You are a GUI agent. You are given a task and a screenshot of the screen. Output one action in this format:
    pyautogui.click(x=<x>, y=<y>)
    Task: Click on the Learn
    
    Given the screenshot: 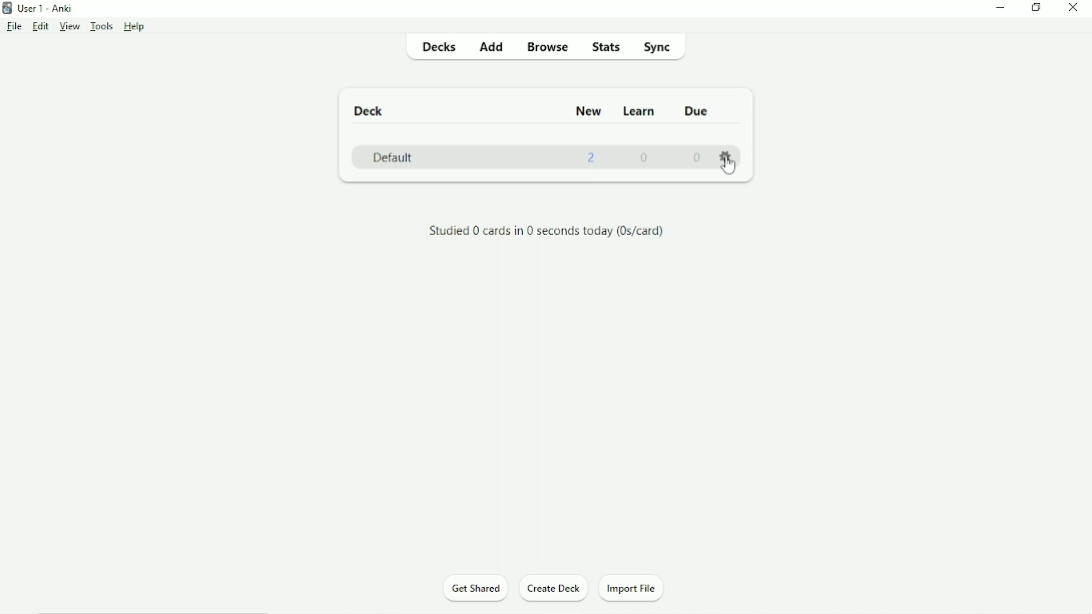 What is the action you would take?
    pyautogui.click(x=640, y=111)
    